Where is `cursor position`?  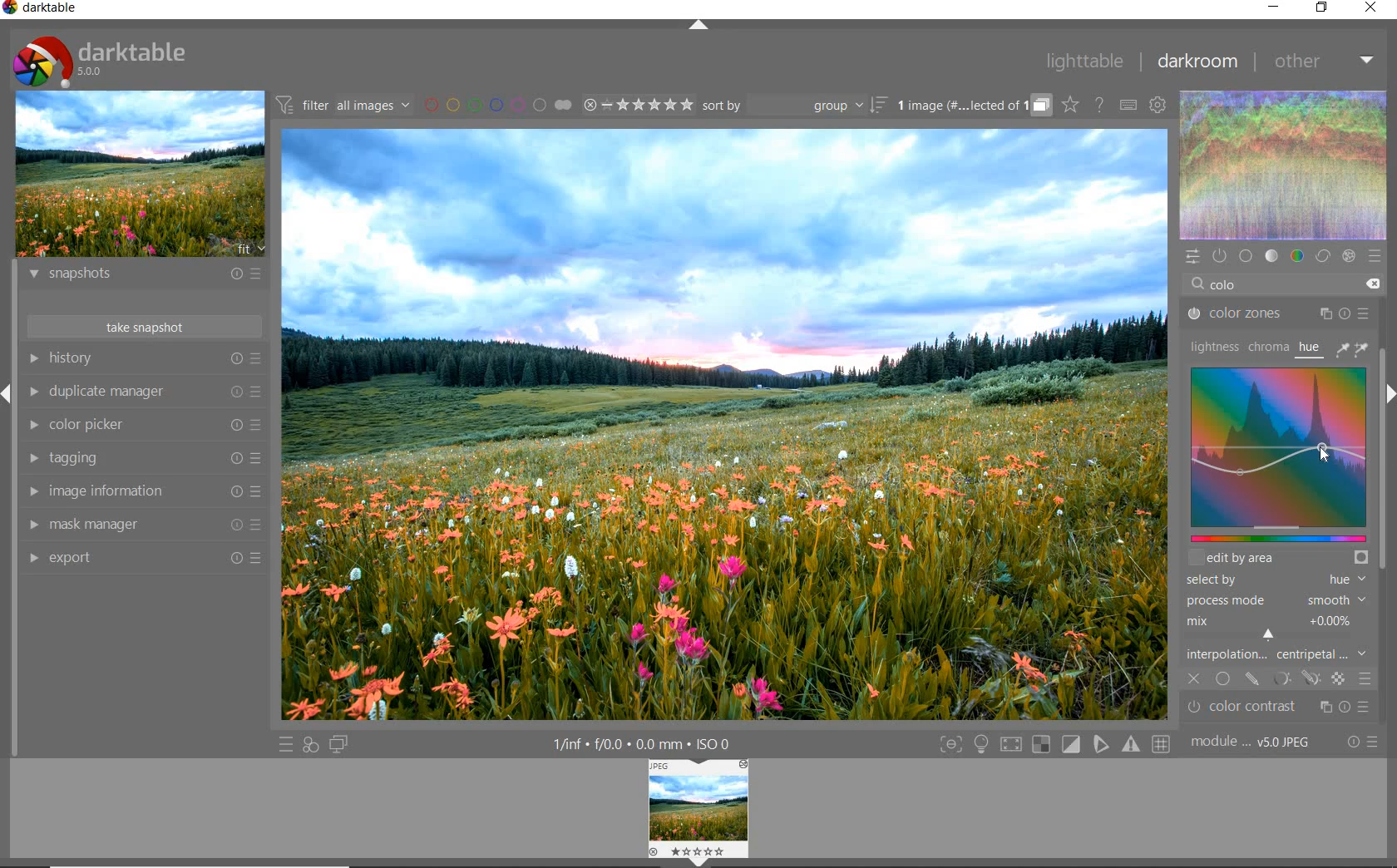
cursor position is located at coordinates (1324, 452).